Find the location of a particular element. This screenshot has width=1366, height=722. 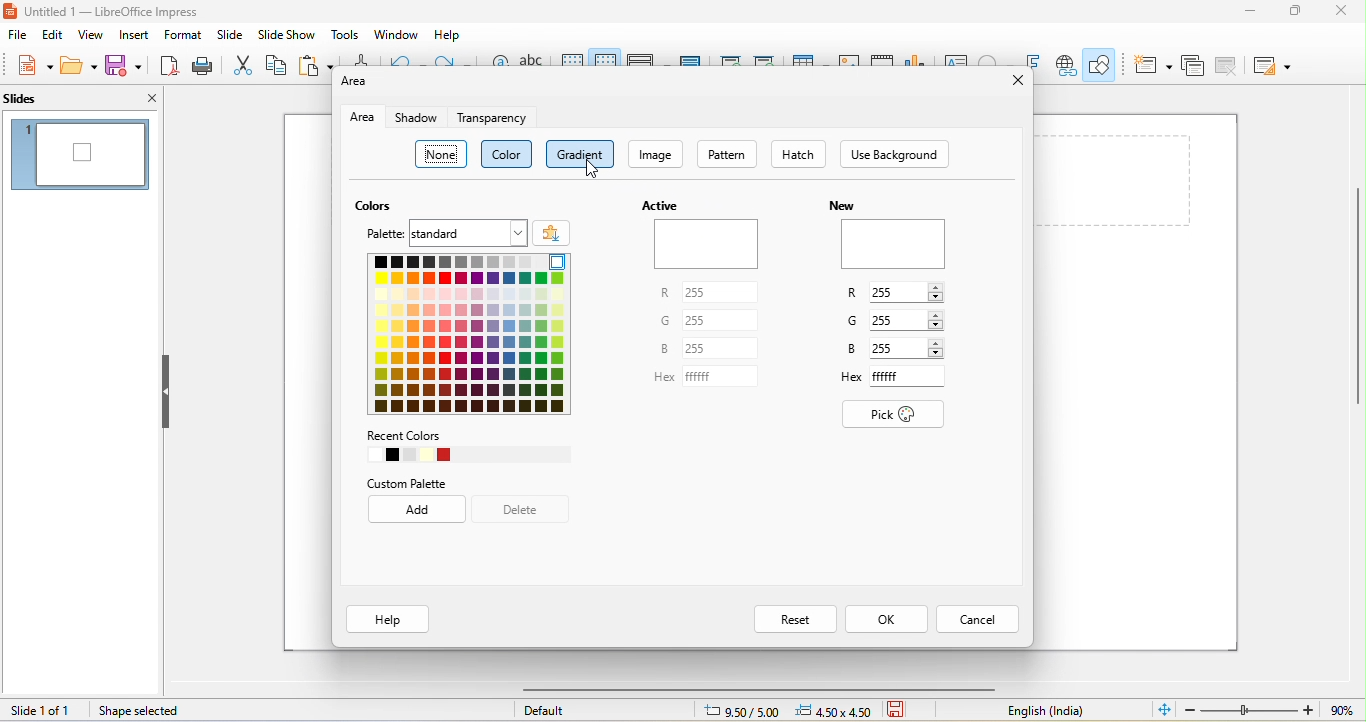

255 is located at coordinates (721, 322).